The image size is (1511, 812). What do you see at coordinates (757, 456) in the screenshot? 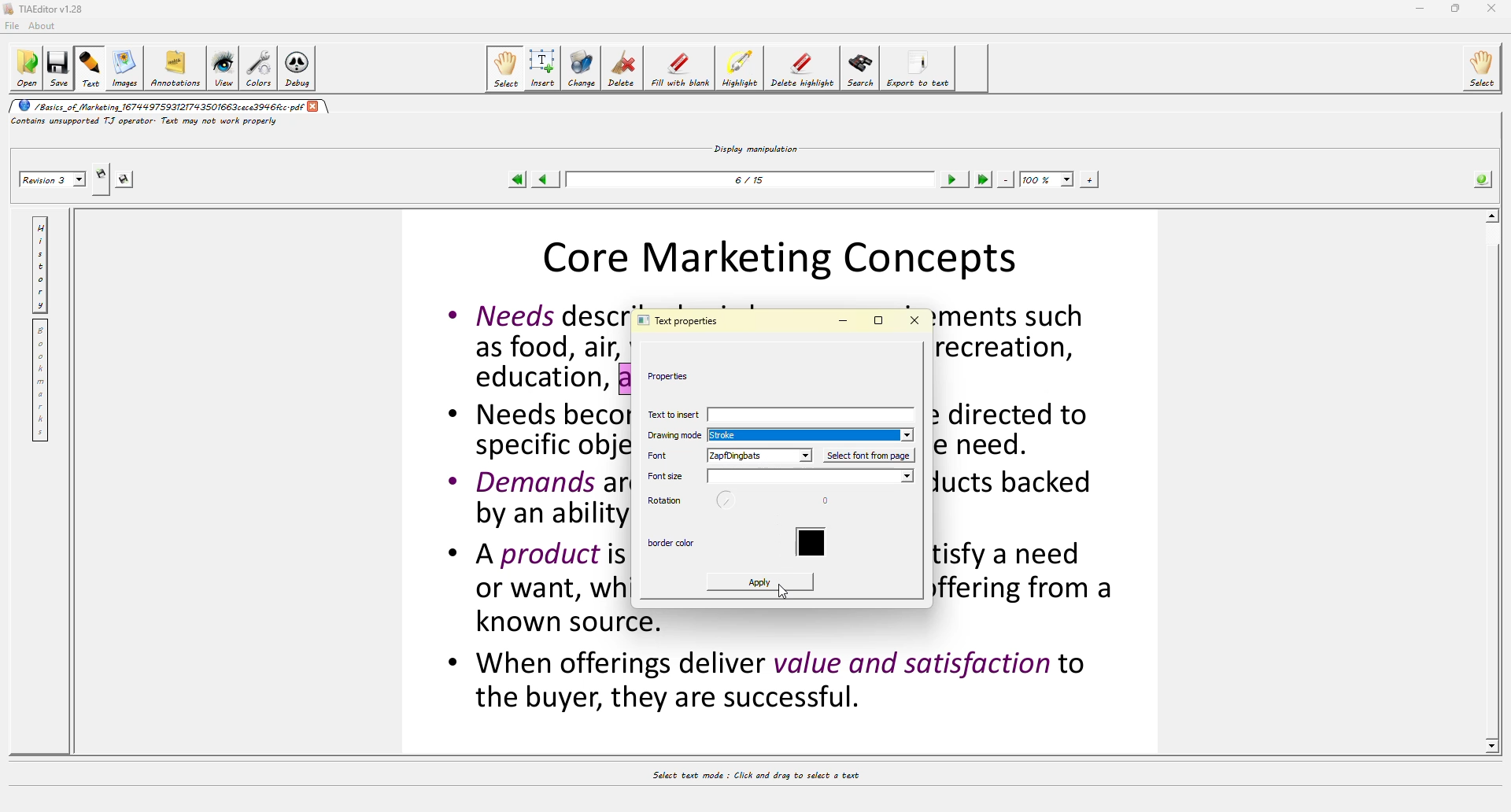
I see `zapfdingbats` at bounding box center [757, 456].